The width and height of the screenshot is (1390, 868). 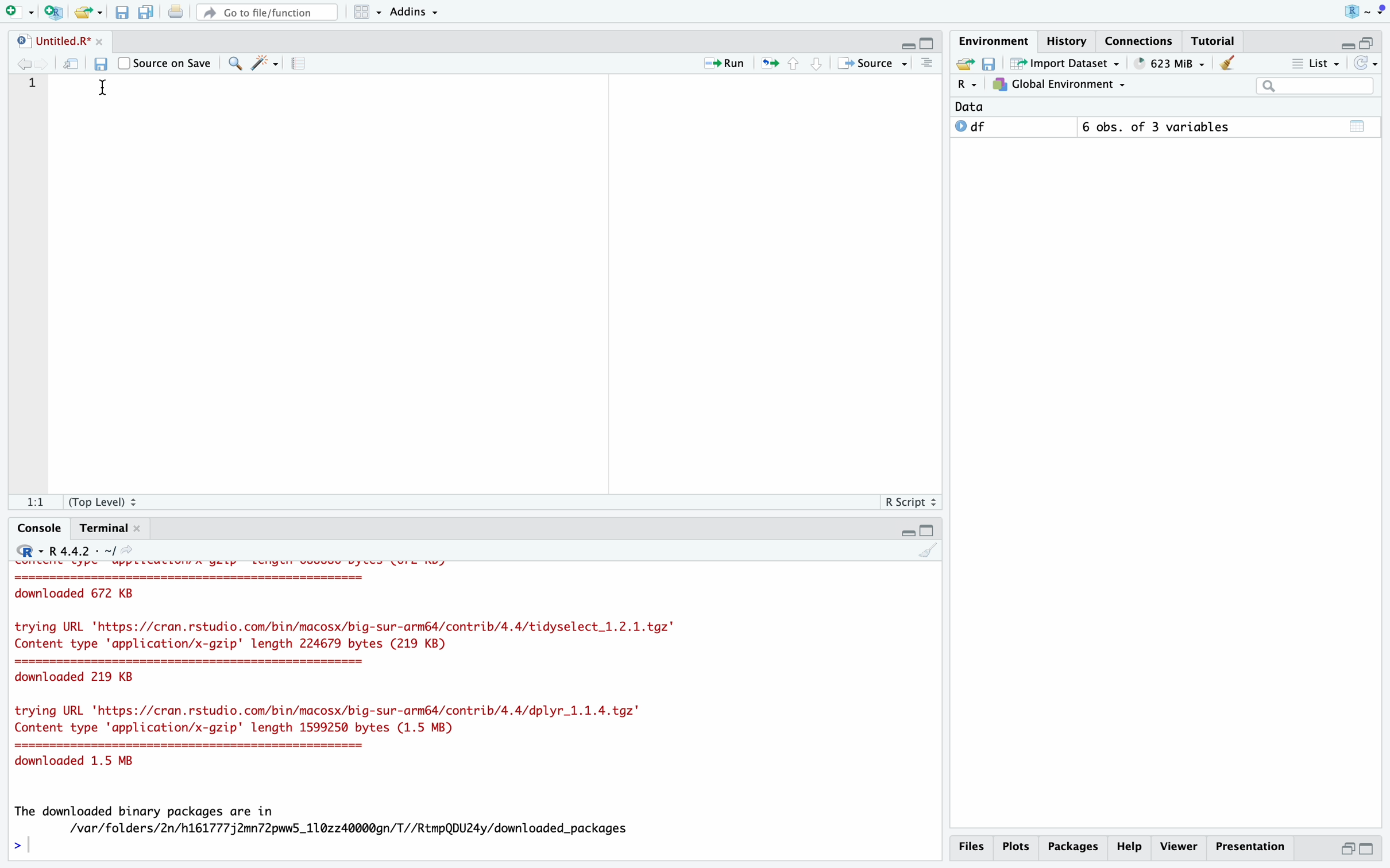 What do you see at coordinates (102, 64) in the screenshot?
I see `Save` at bounding box center [102, 64].